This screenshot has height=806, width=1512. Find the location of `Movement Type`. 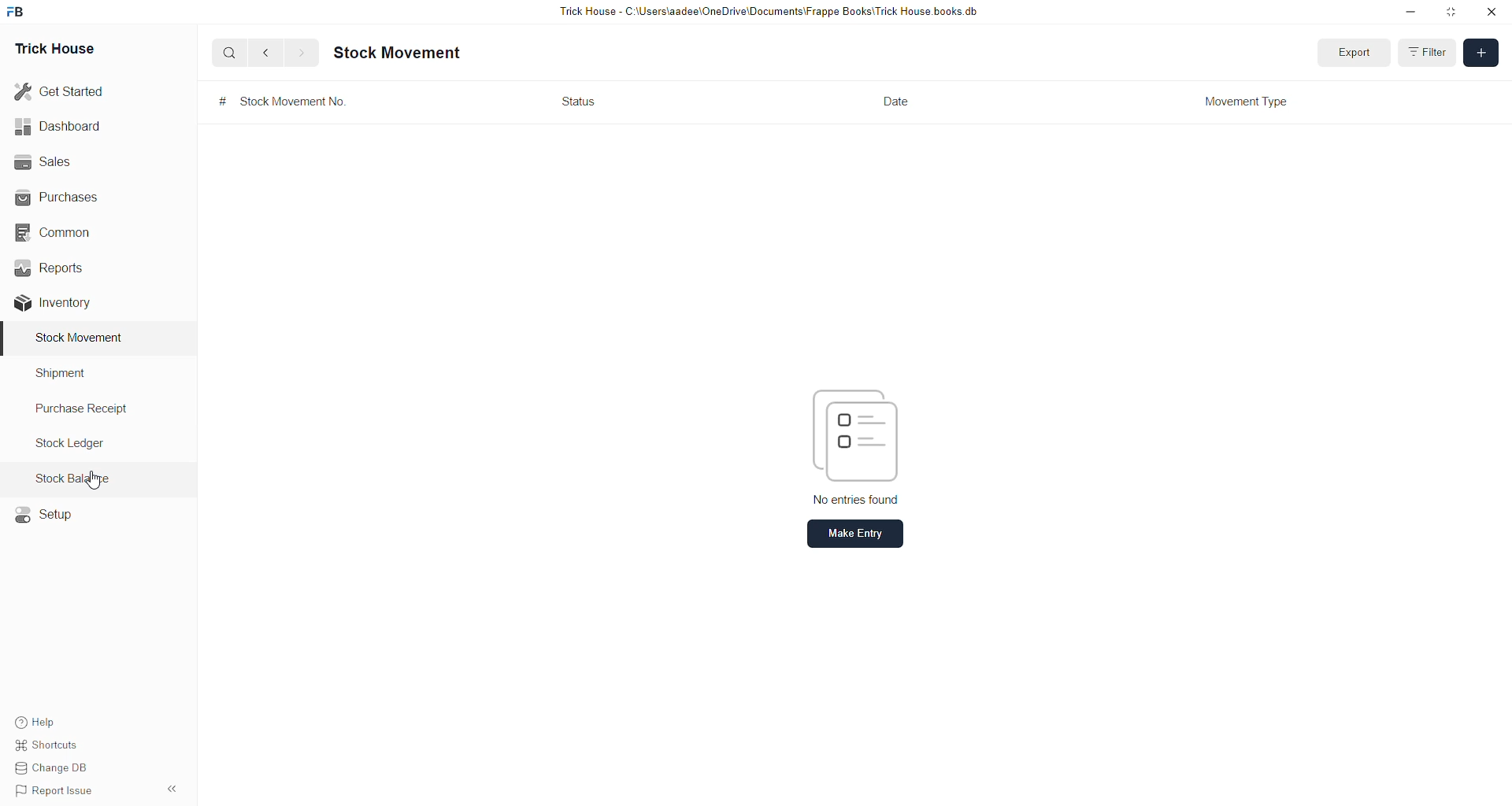

Movement Type is located at coordinates (1253, 102).